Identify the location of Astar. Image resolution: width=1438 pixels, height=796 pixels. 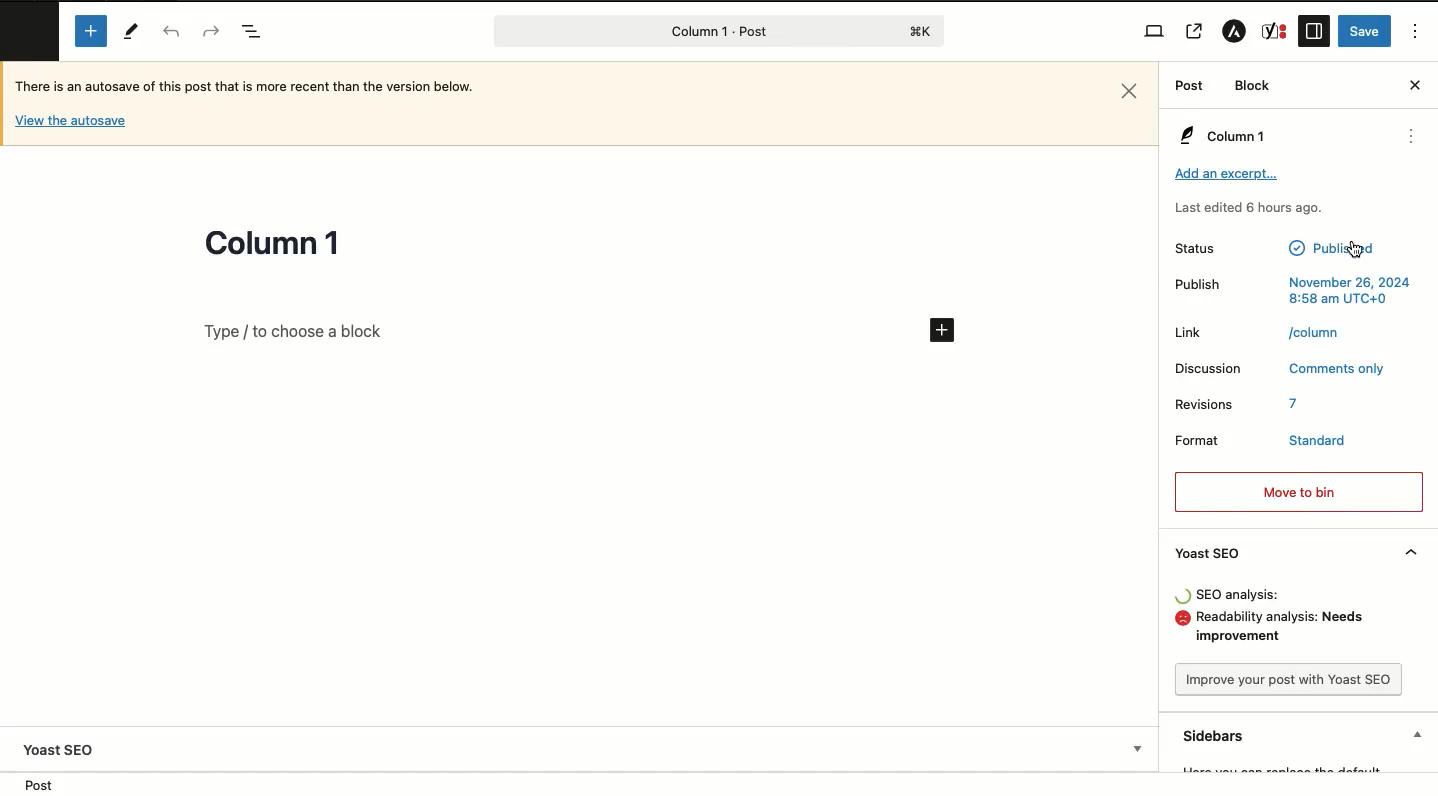
(1234, 34).